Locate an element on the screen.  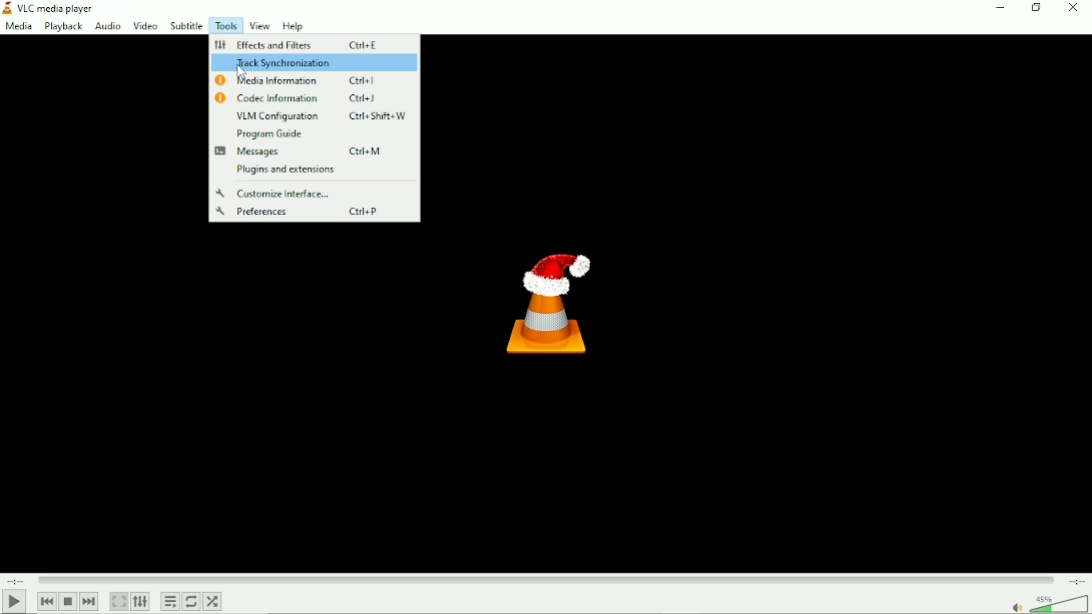
Preferences is located at coordinates (307, 211).